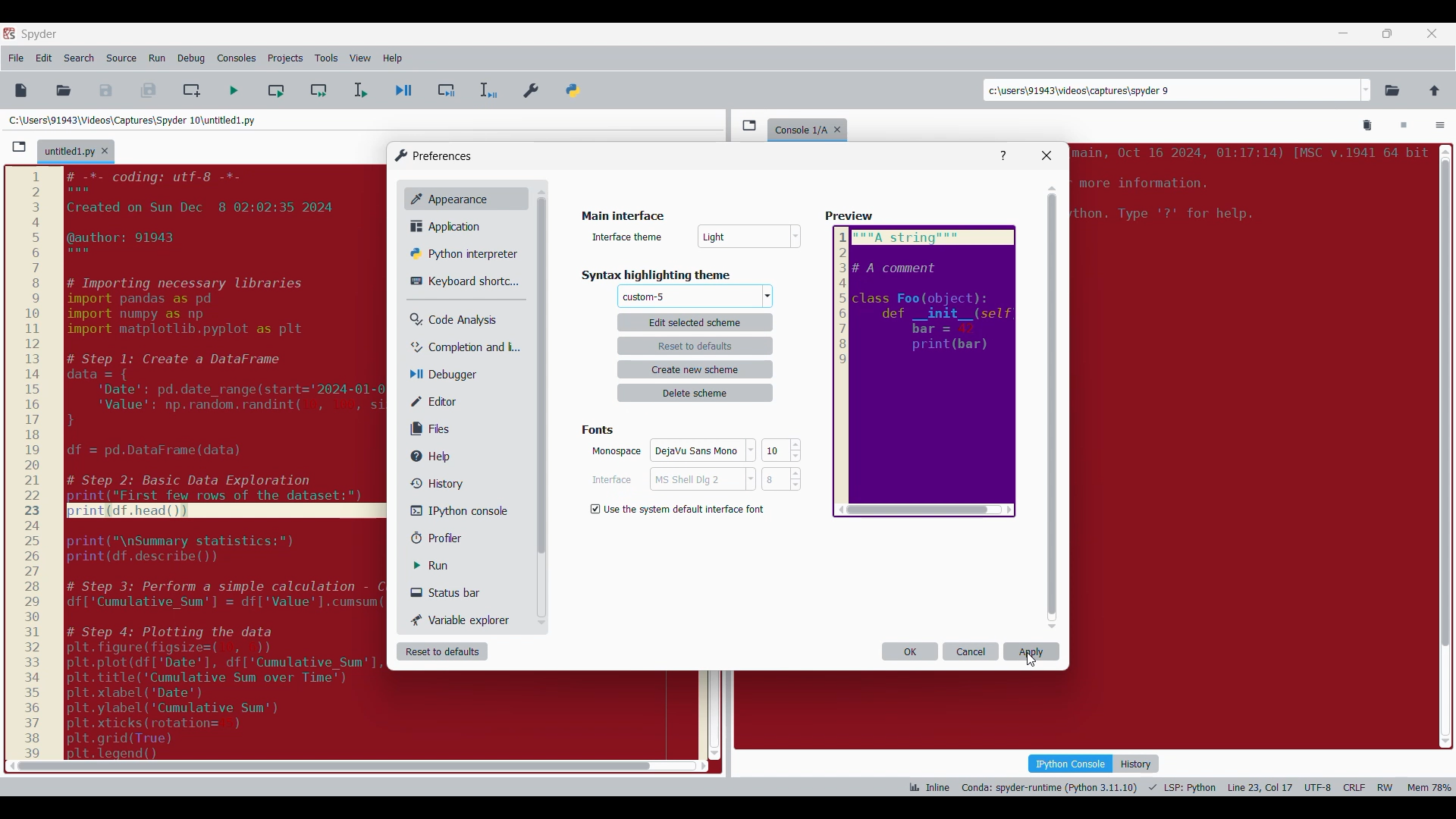  I want to click on Close tab, so click(841, 127).